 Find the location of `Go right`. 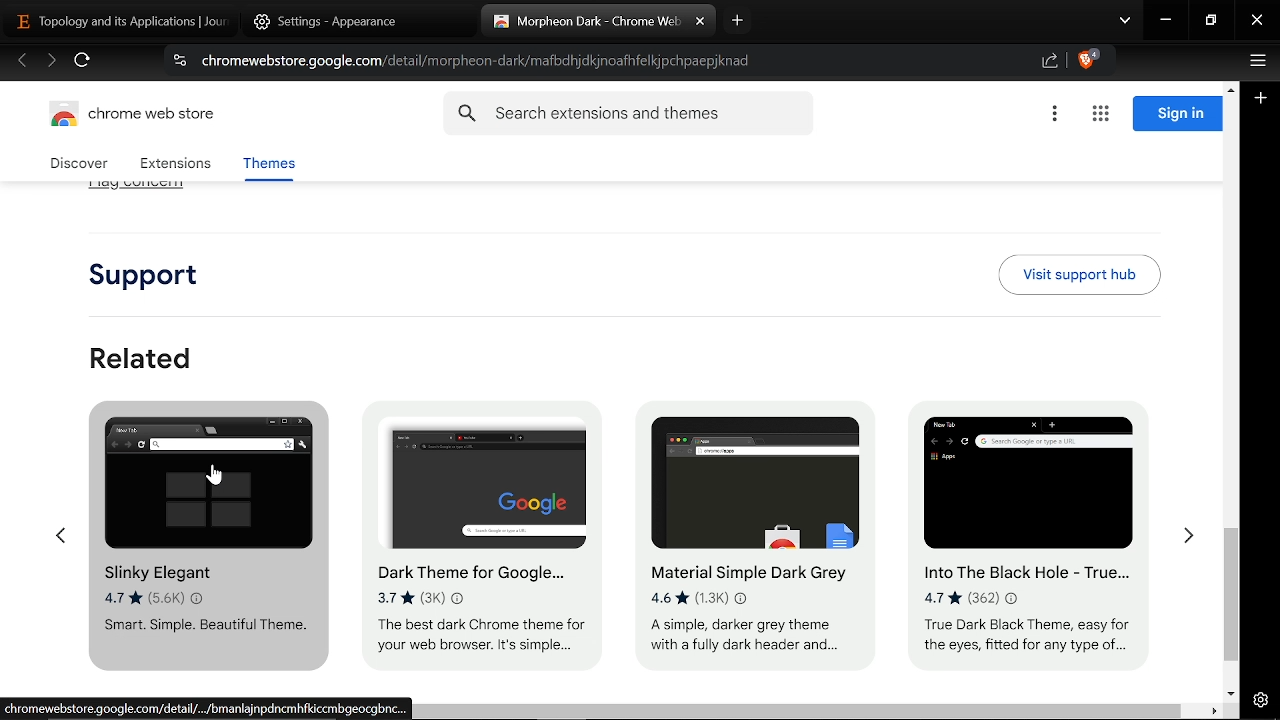

Go right is located at coordinates (1188, 532).